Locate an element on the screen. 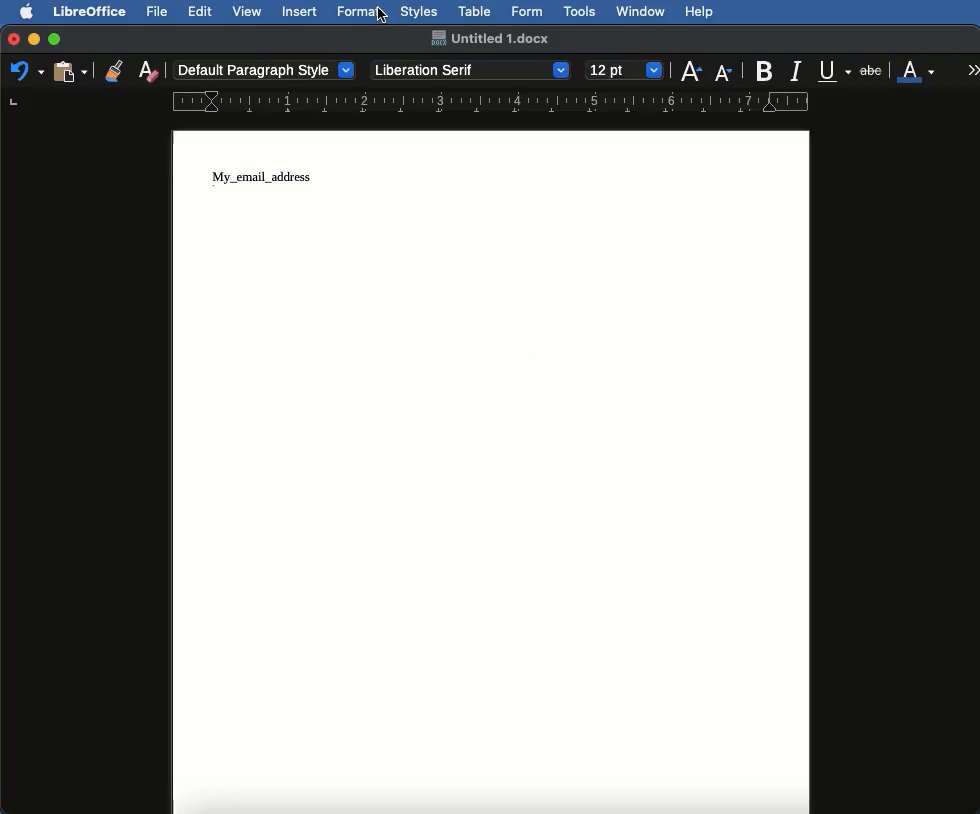 The width and height of the screenshot is (980, 814). Size increase is located at coordinates (690, 69).